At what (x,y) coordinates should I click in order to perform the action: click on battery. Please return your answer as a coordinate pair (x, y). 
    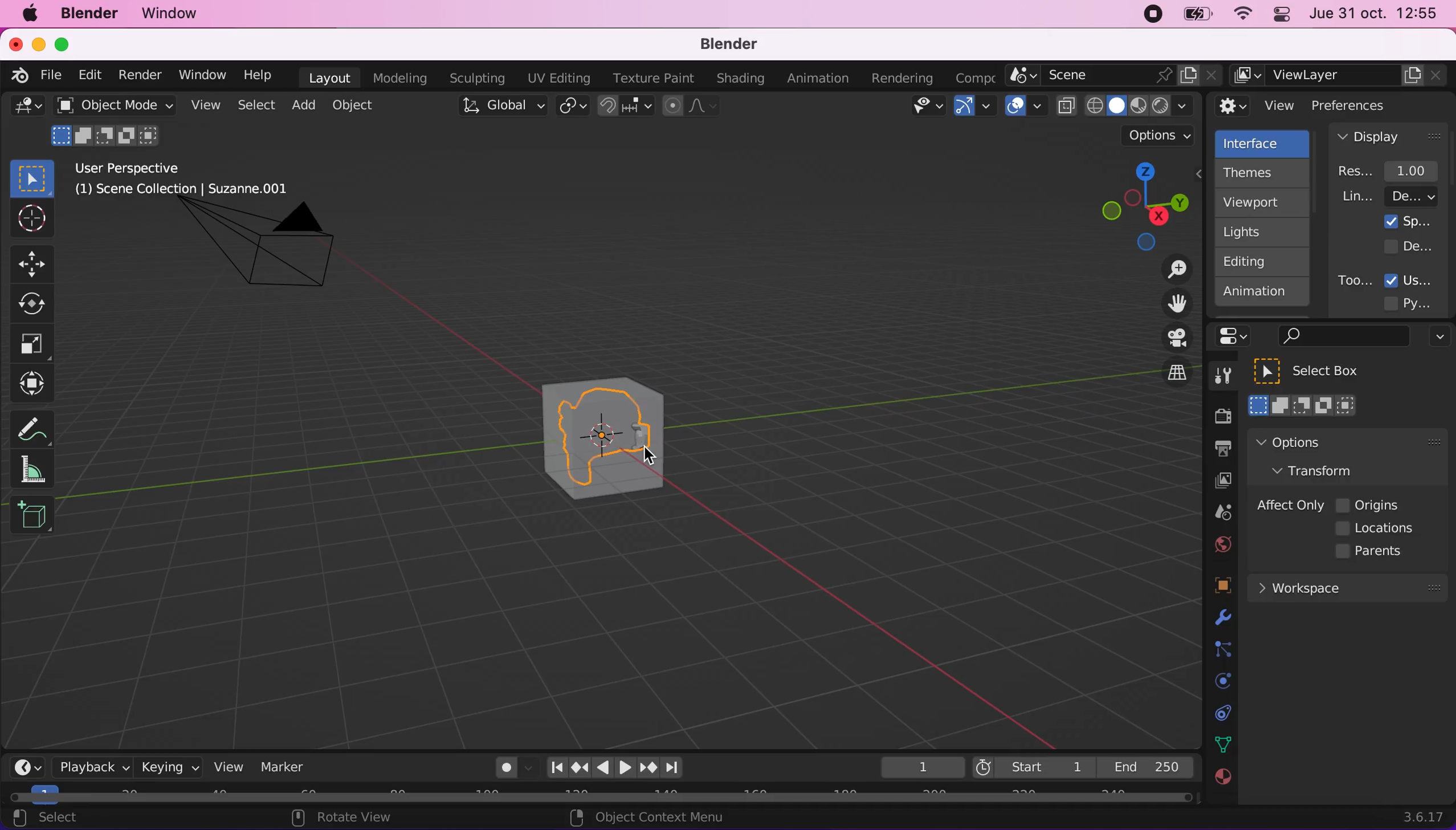
    Looking at the image, I should click on (1193, 17).